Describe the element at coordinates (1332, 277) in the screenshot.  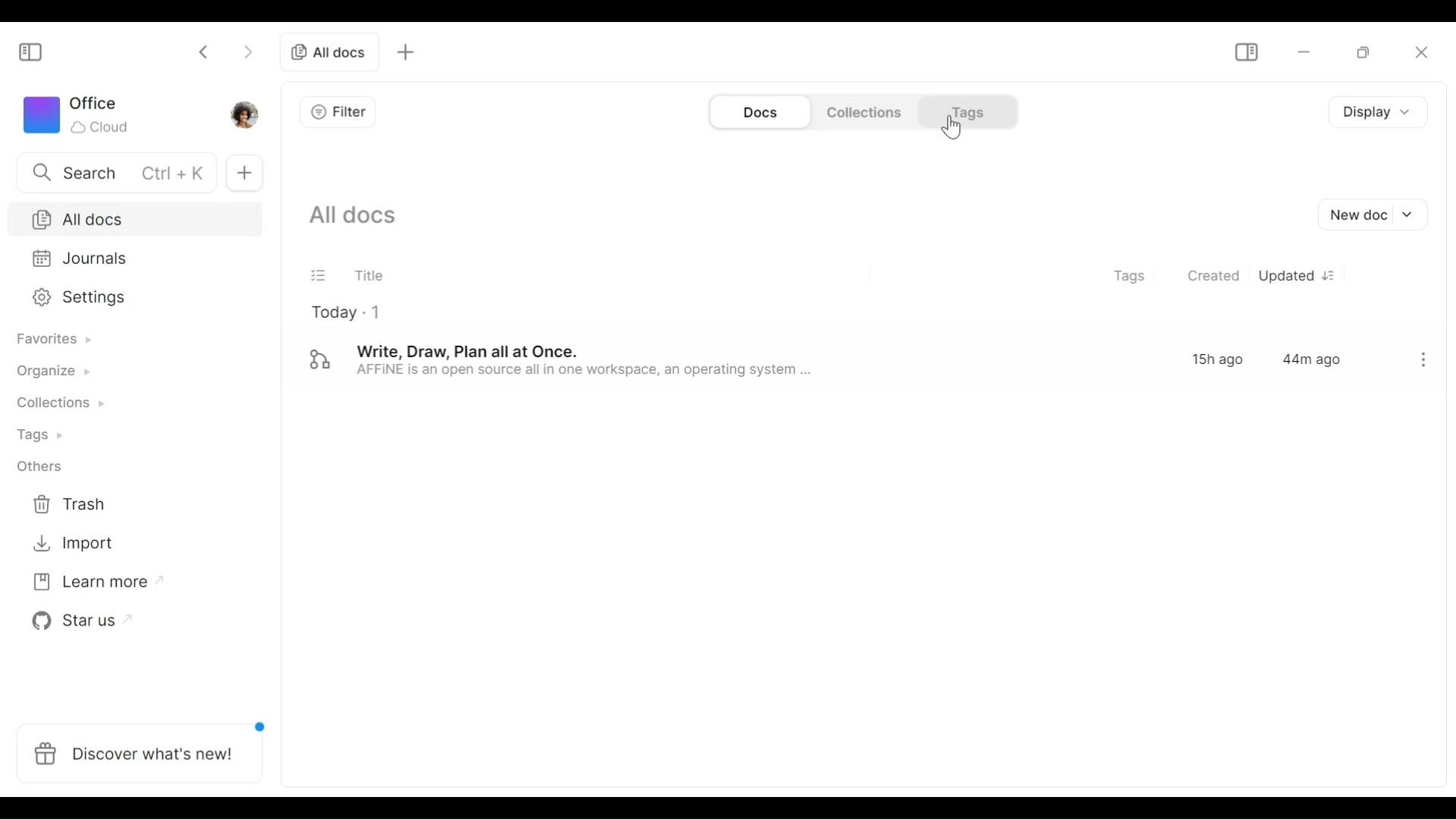
I see `Sort` at that location.